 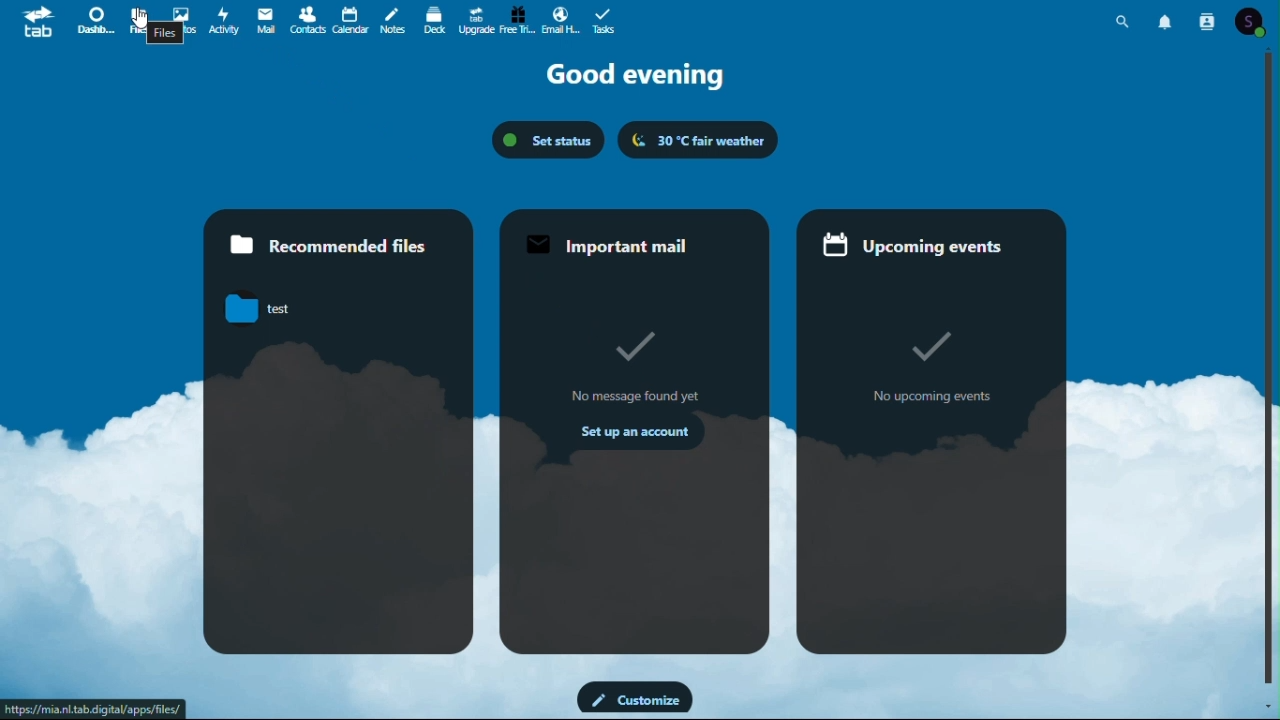 I want to click on deck, so click(x=434, y=21).